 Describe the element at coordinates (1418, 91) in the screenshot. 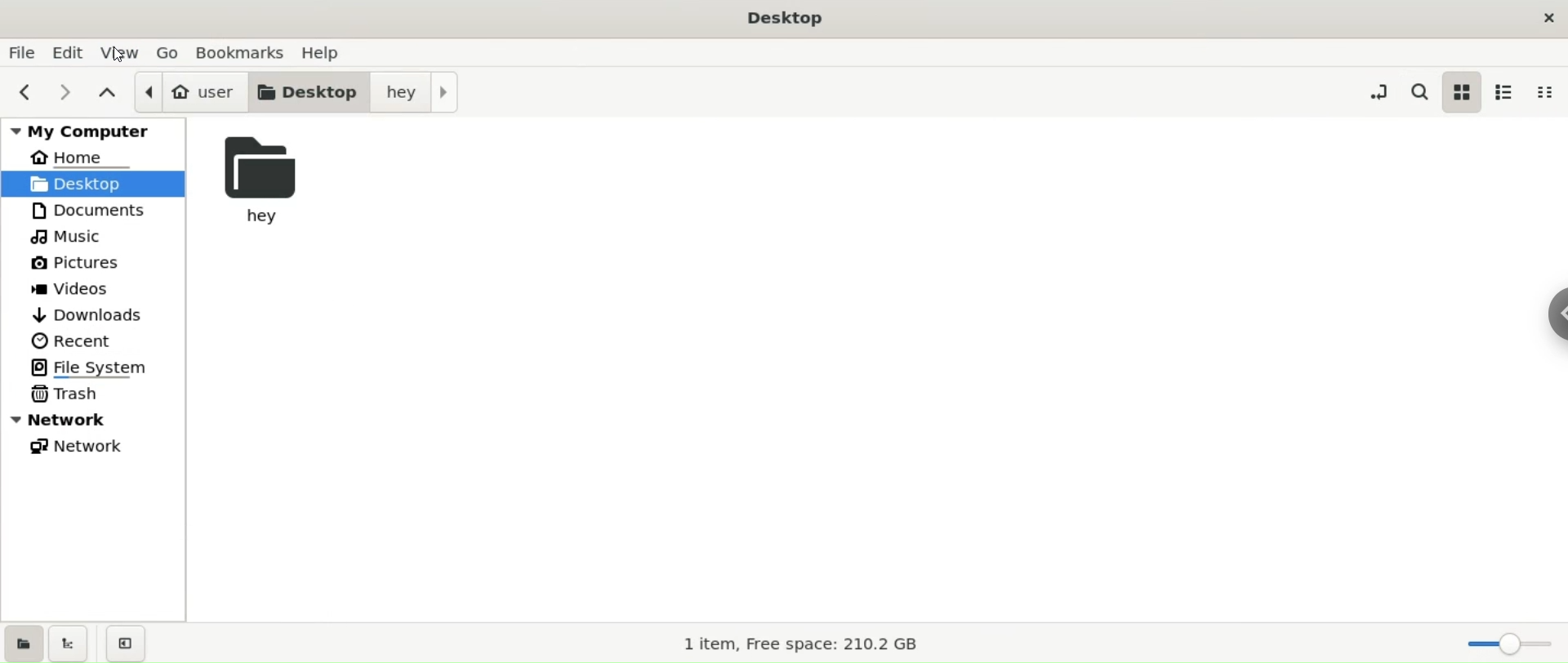

I see `search` at that location.